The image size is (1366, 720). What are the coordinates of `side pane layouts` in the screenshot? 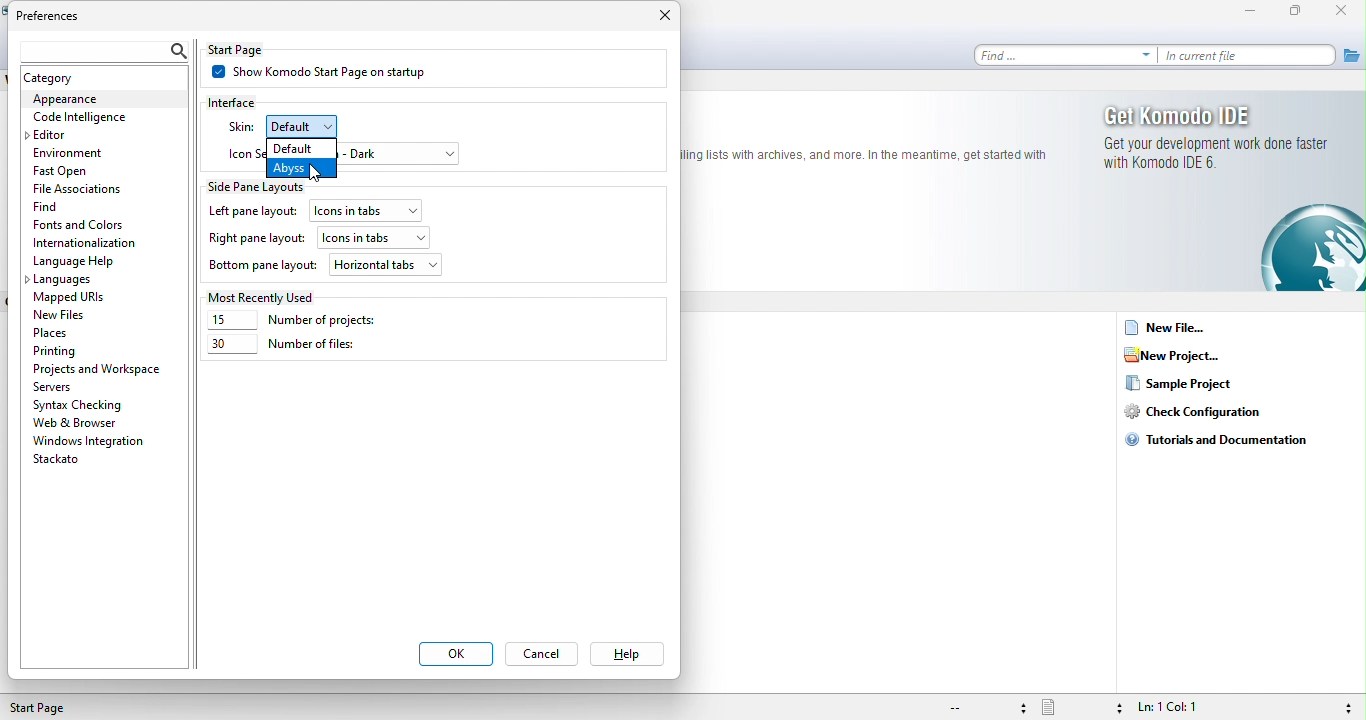 It's located at (266, 185).